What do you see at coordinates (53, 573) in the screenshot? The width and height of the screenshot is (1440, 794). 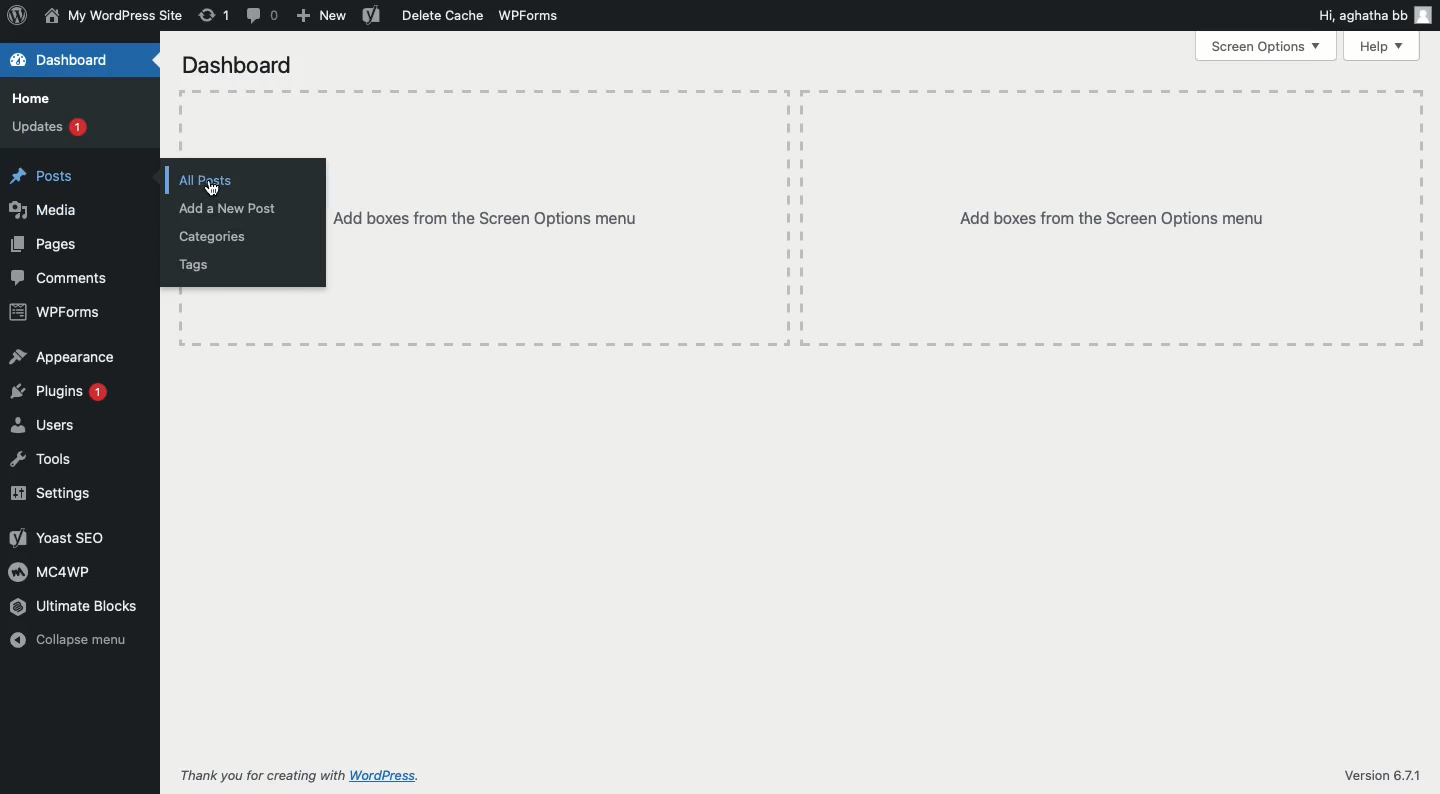 I see ` Mc4wp` at bounding box center [53, 573].